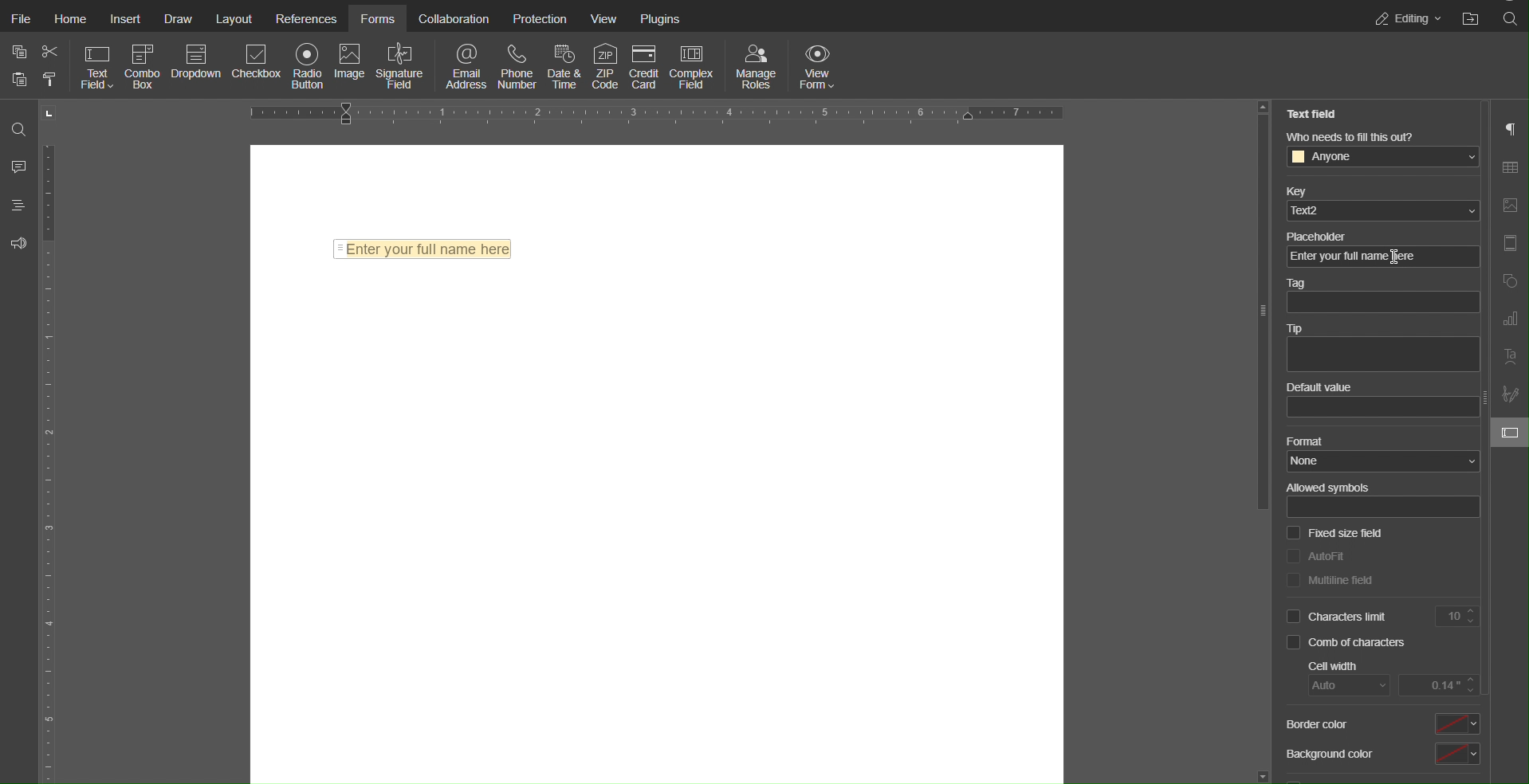 This screenshot has height=784, width=1529. Describe the element at coordinates (198, 67) in the screenshot. I see `Dropdown` at that location.